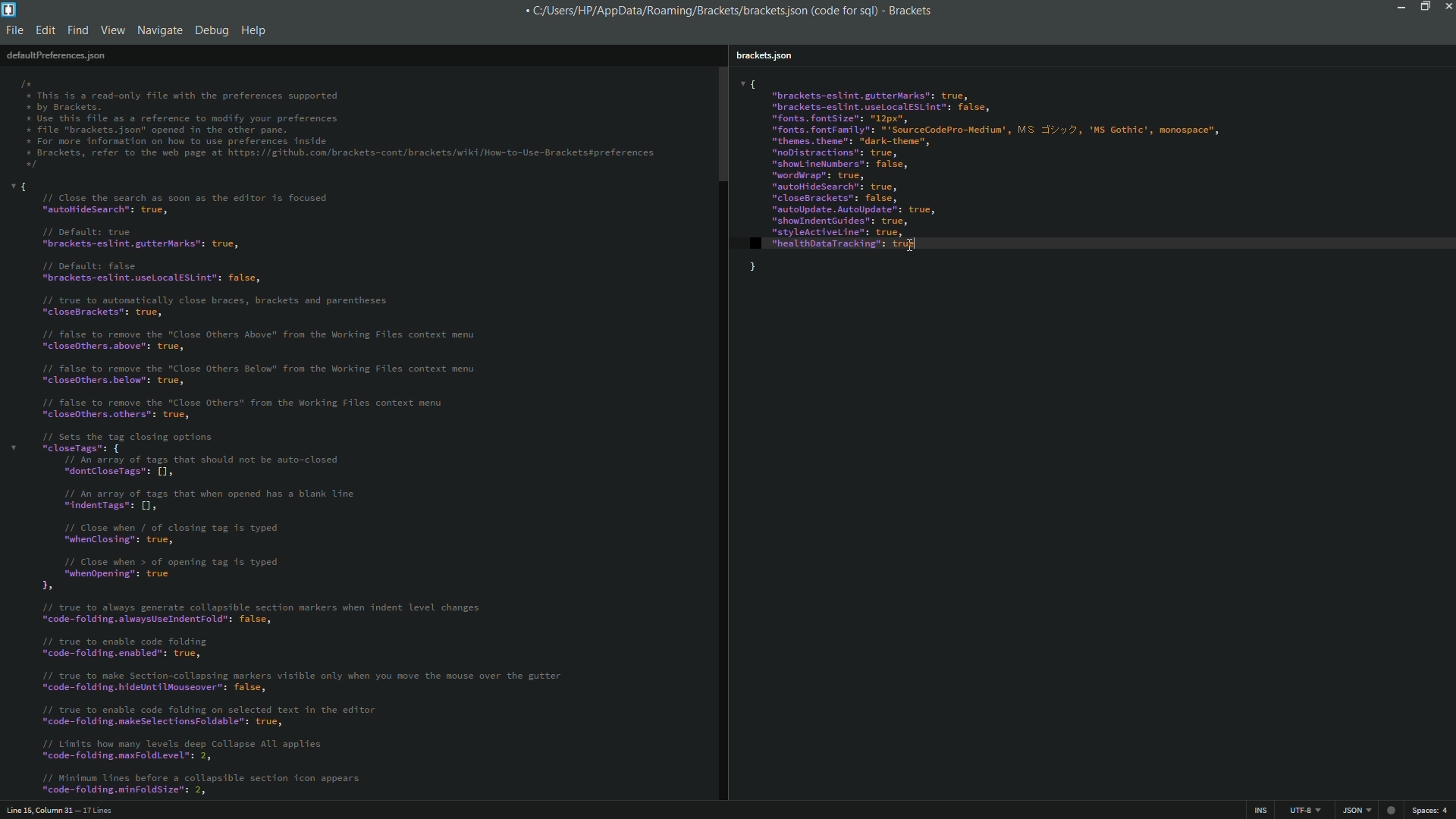 This screenshot has height=819, width=1456. Describe the element at coordinates (911, 243) in the screenshot. I see `cursor` at that location.